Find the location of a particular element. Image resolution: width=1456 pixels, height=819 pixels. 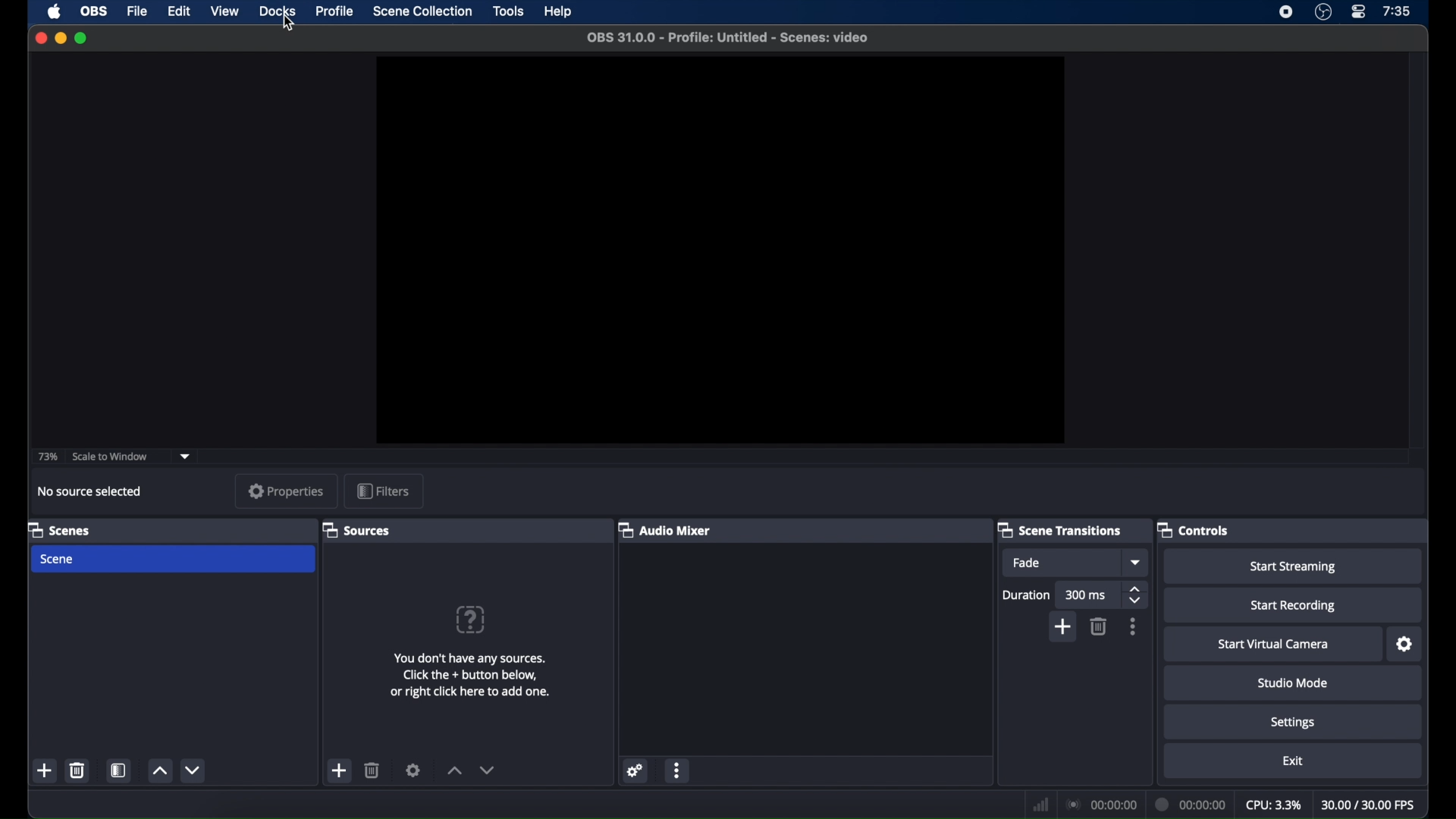

scene collection is located at coordinates (422, 11).